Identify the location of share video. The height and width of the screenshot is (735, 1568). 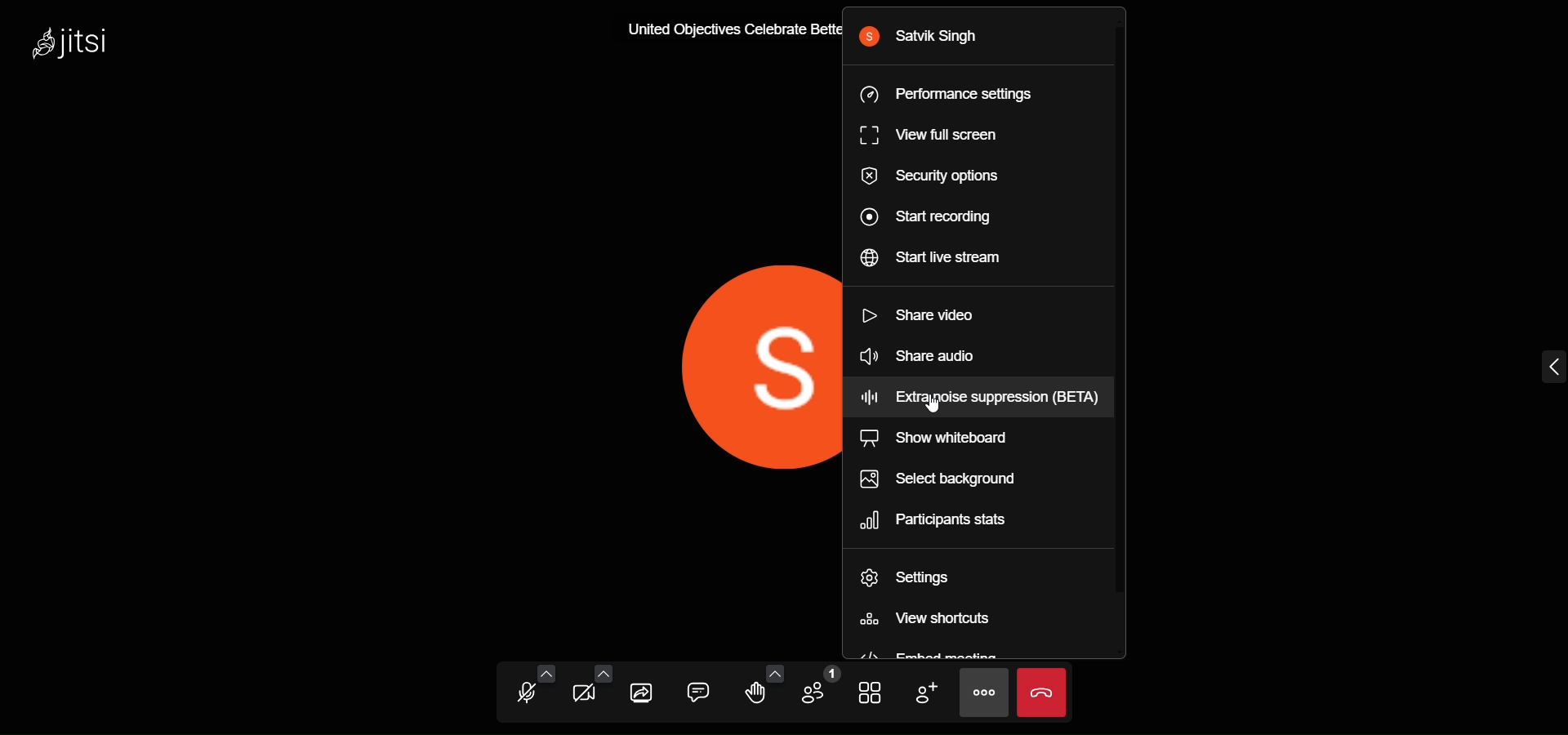
(921, 312).